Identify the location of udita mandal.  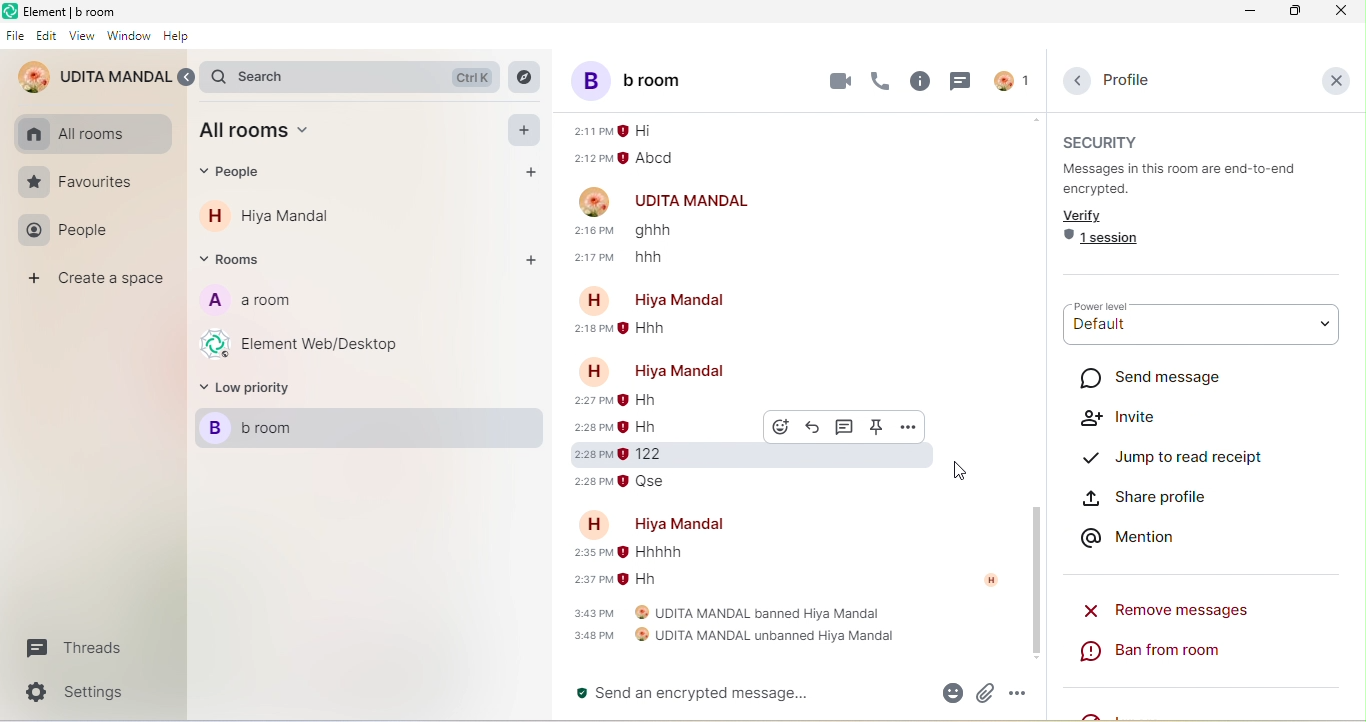
(94, 78).